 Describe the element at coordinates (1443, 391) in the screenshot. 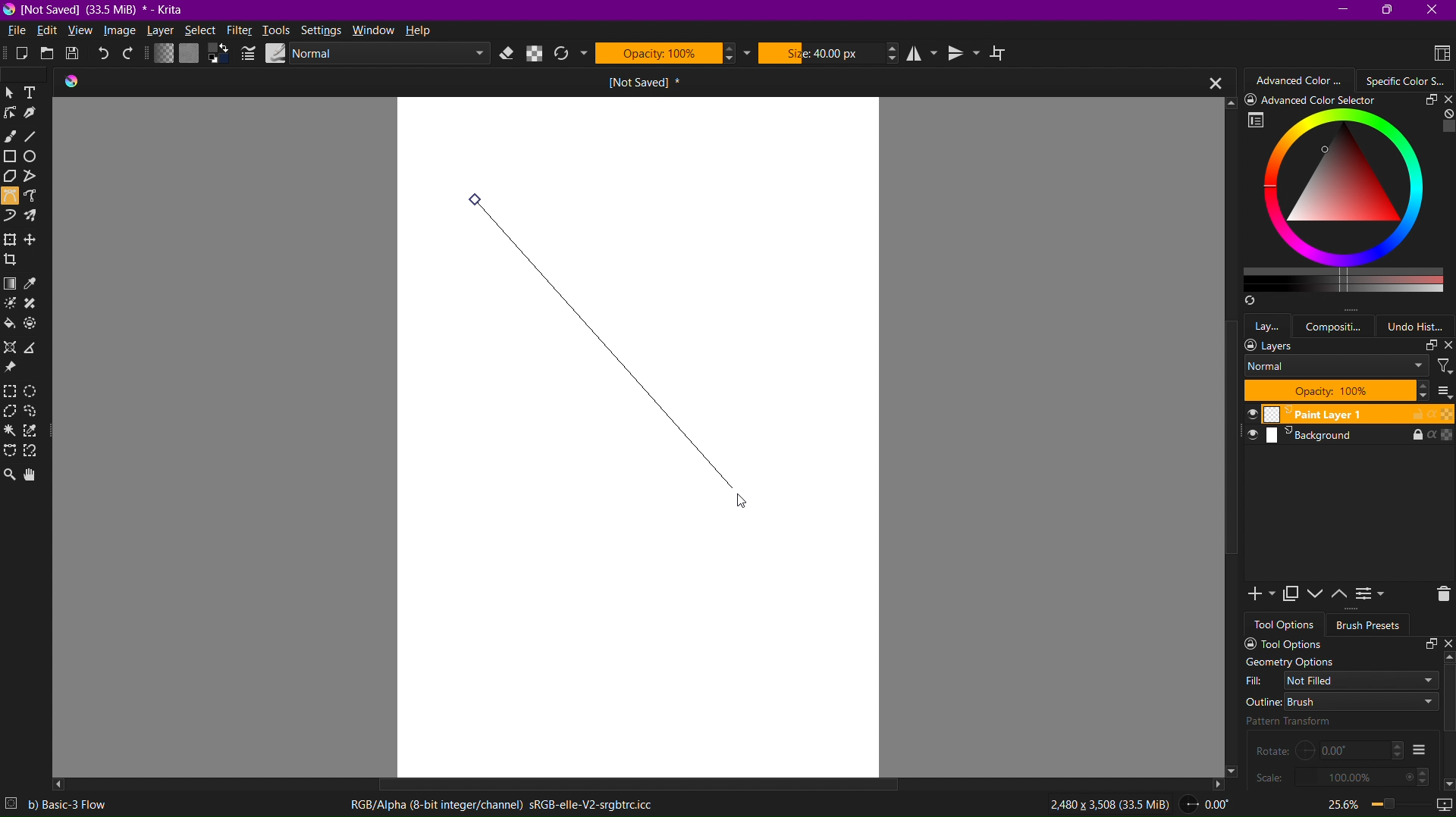

I see `Thumbnail Settings` at that location.